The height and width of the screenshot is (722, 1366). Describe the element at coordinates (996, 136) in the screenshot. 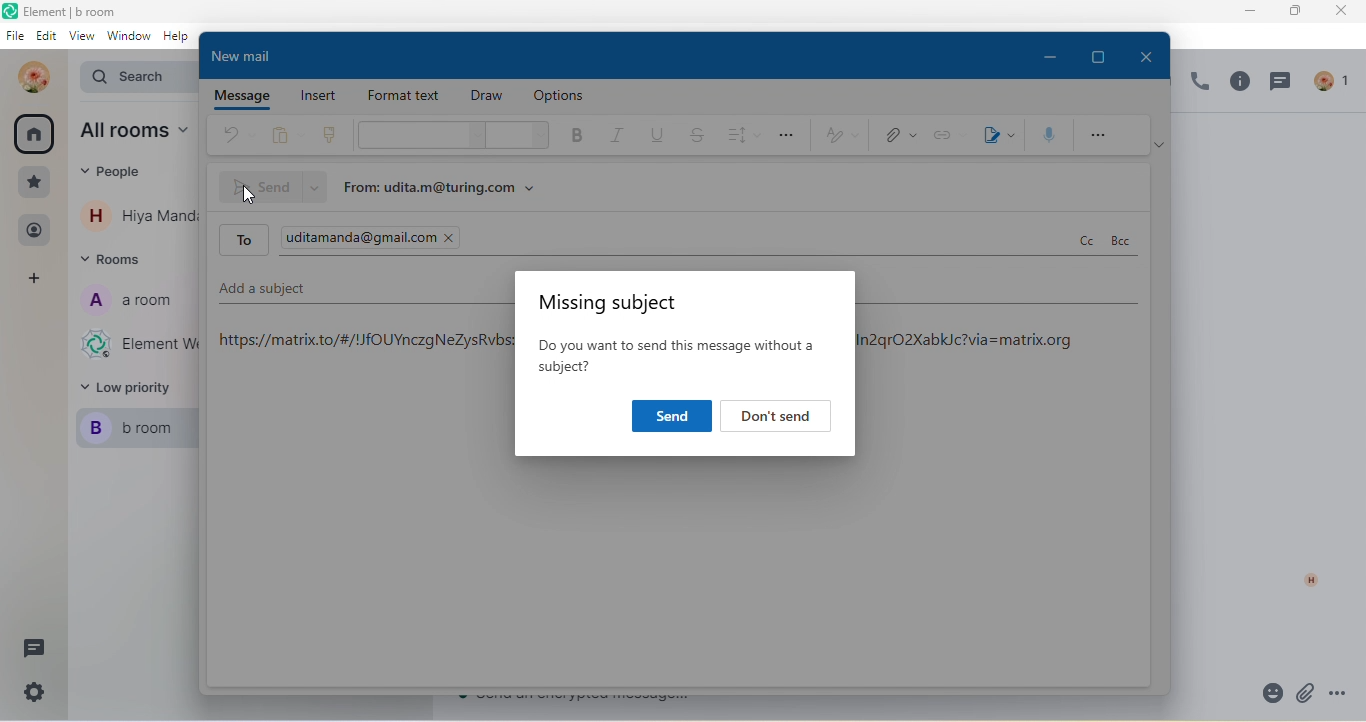

I see `signature` at that location.